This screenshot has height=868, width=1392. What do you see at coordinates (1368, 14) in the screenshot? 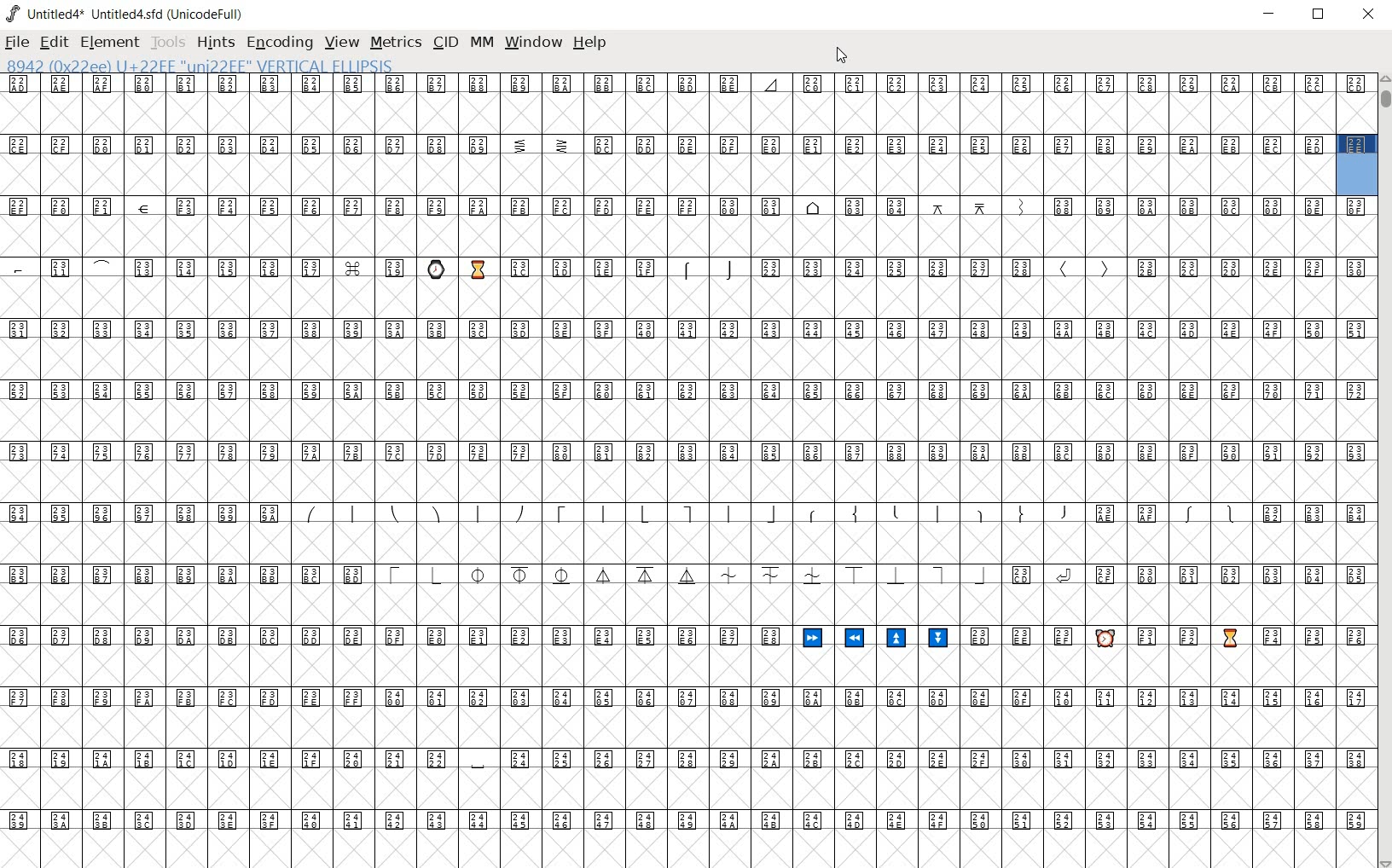
I see `CLOSE` at bounding box center [1368, 14].